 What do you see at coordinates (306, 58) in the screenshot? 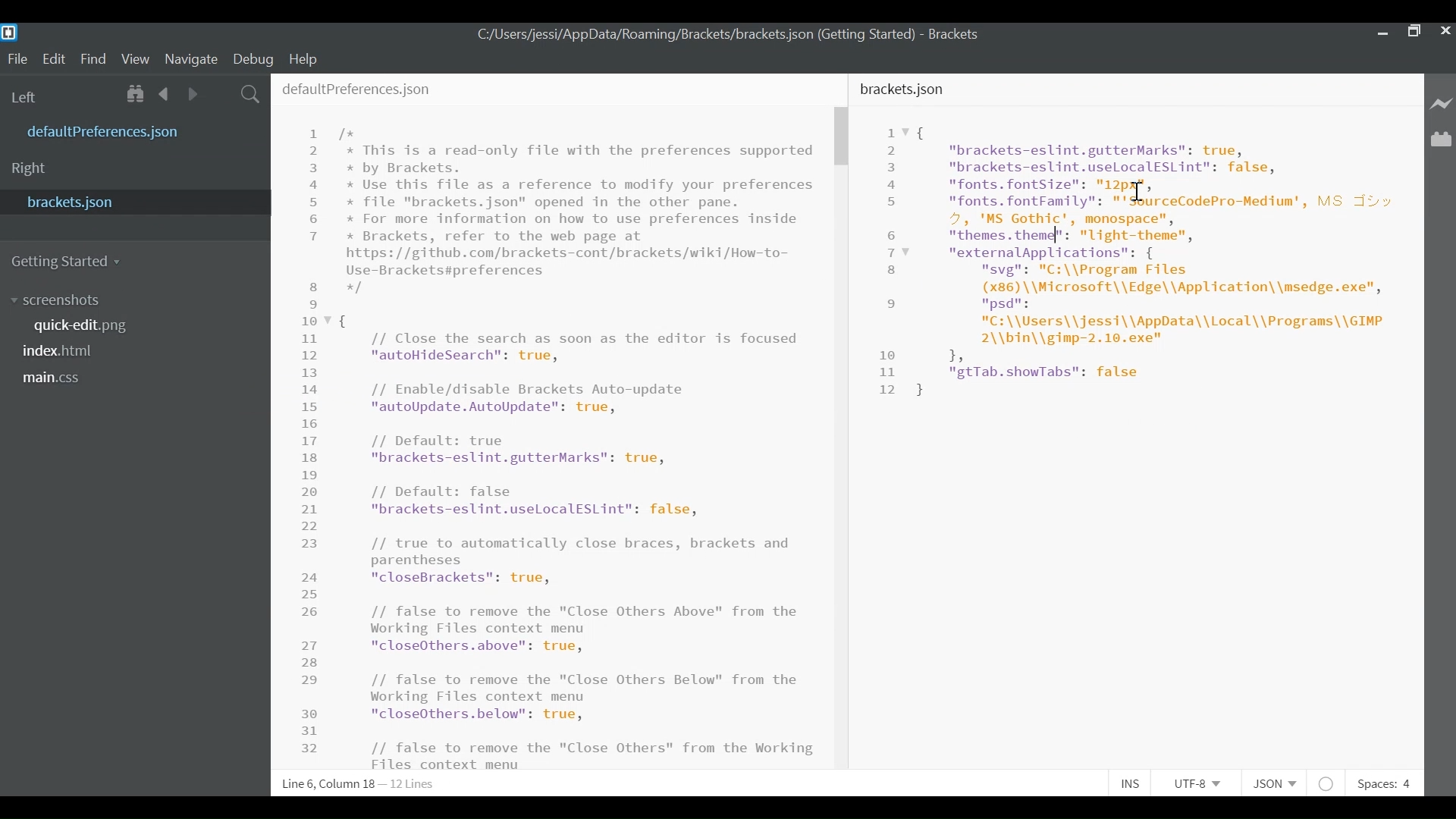
I see `Help` at bounding box center [306, 58].